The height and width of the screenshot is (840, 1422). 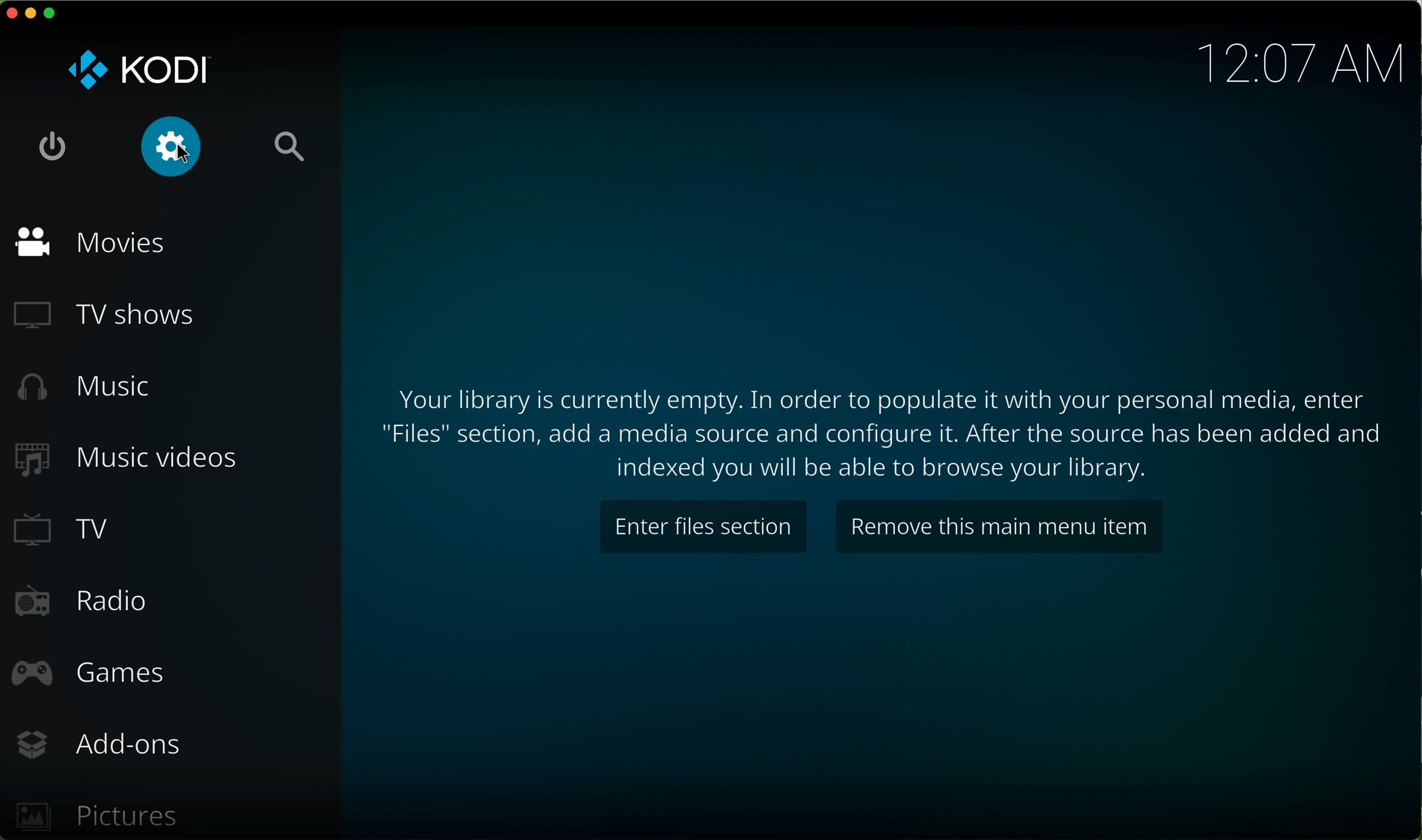 What do you see at coordinates (53, 13) in the screenshot?
I see `maximize` at bounding box center [53, 13].